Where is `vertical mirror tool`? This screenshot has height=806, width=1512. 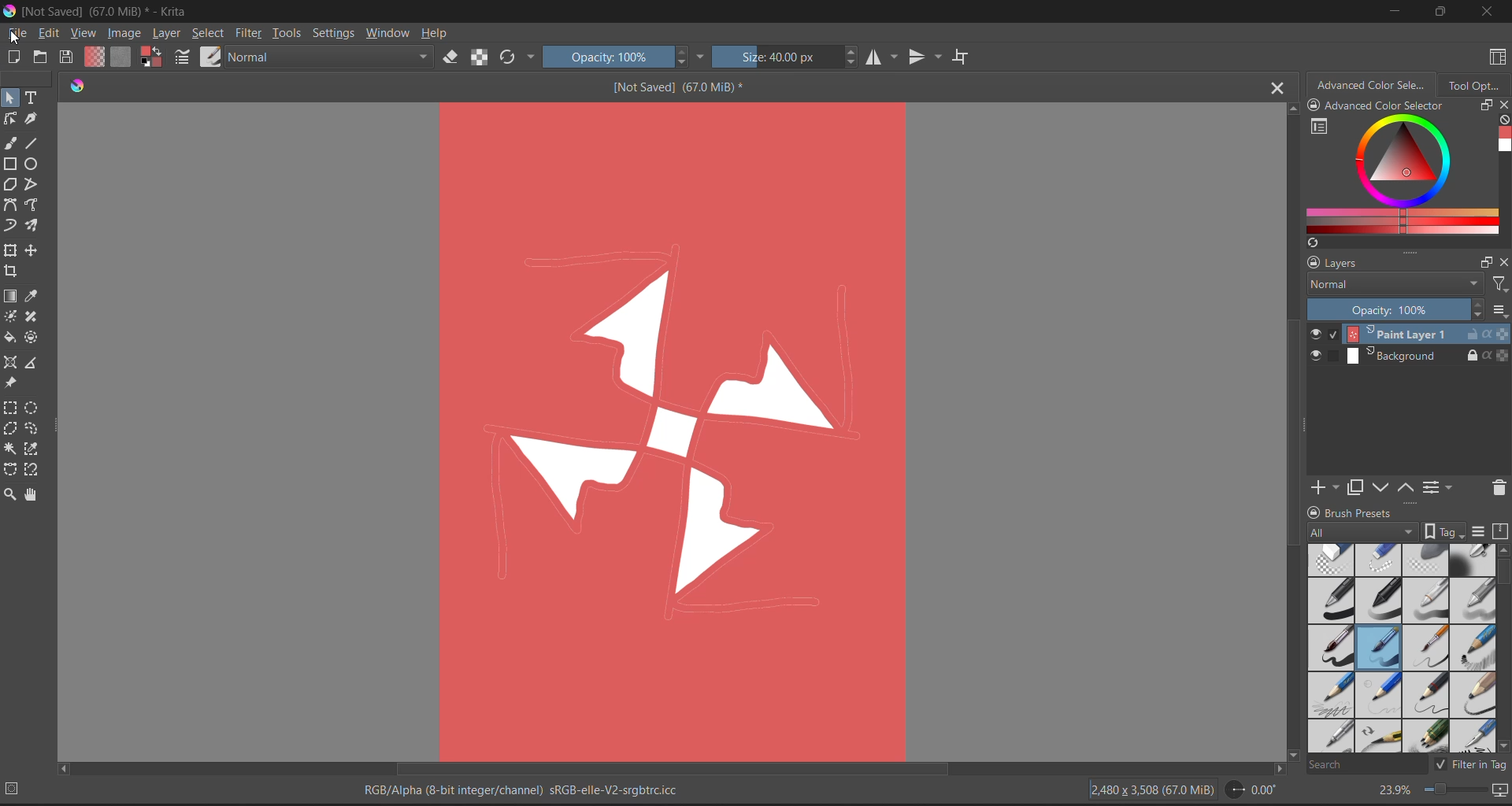
vertical mirror tool is located at coordinates (926, 57).